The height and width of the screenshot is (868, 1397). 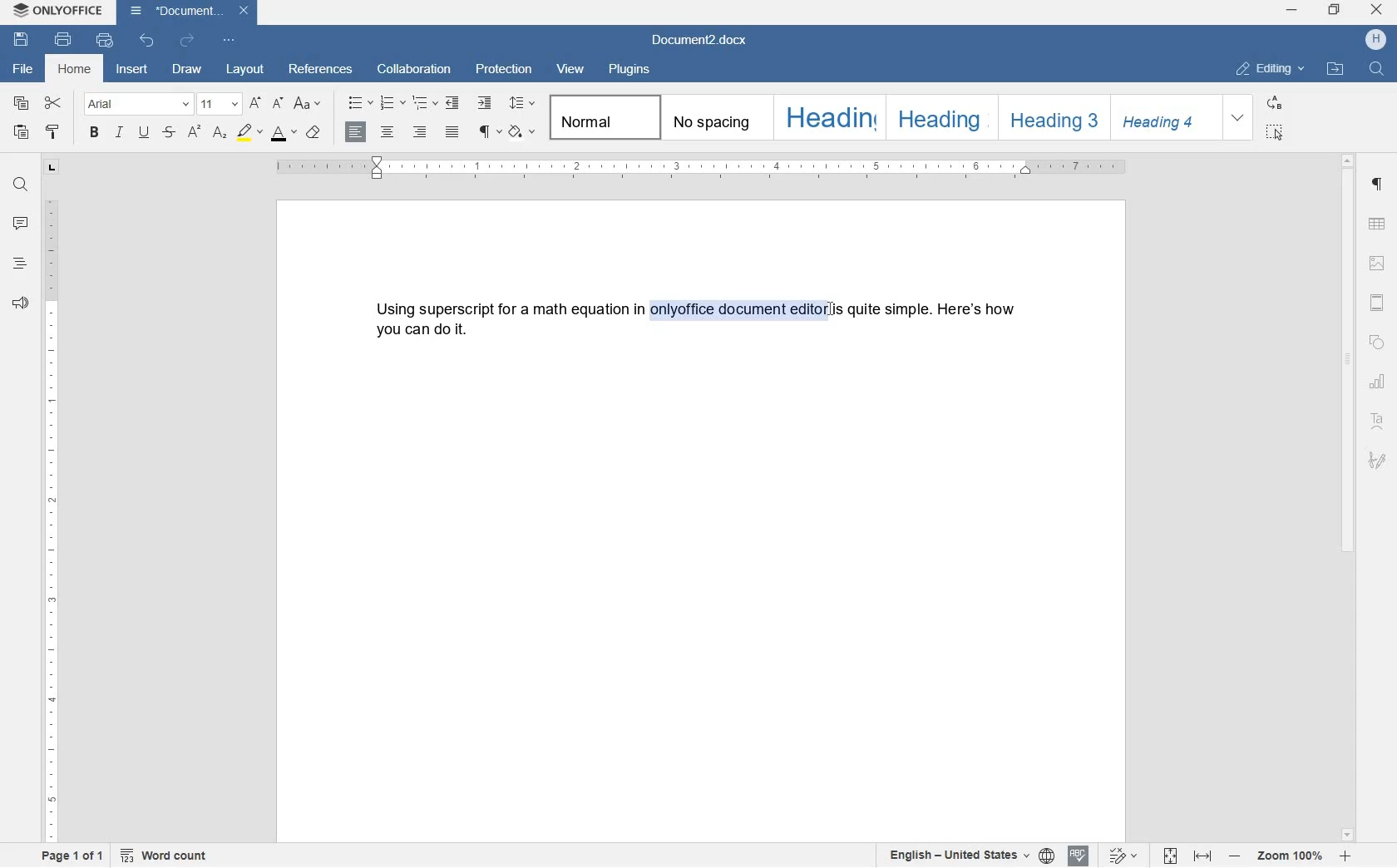 What do you see at coordinates (321, 71) in the screenshot?
I see `references` at bounding box center [321, 71].